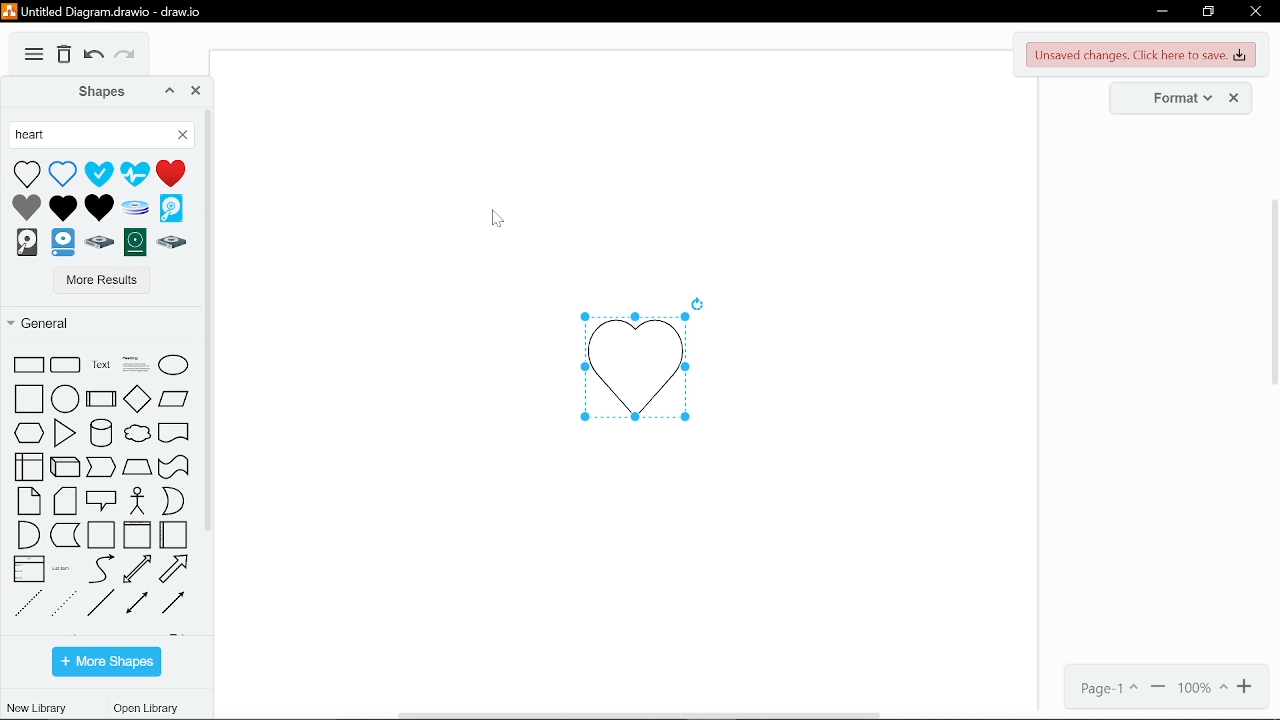  What do you see at coordinates (137, 464) in the screenshot?
I see `trapizoid` at bounding box center [137, 464].